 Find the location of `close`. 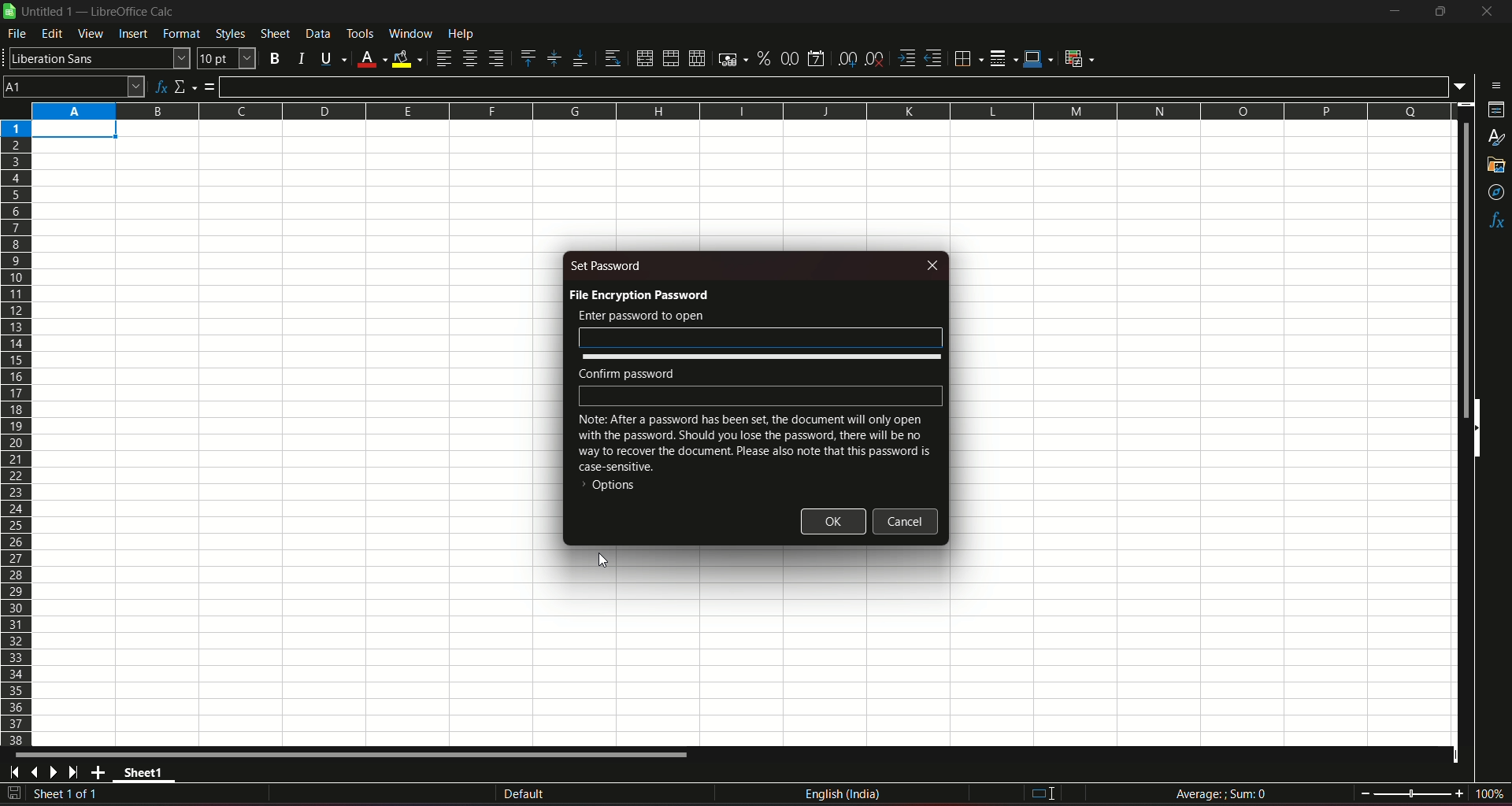

close is located at coordinates (934, 264).